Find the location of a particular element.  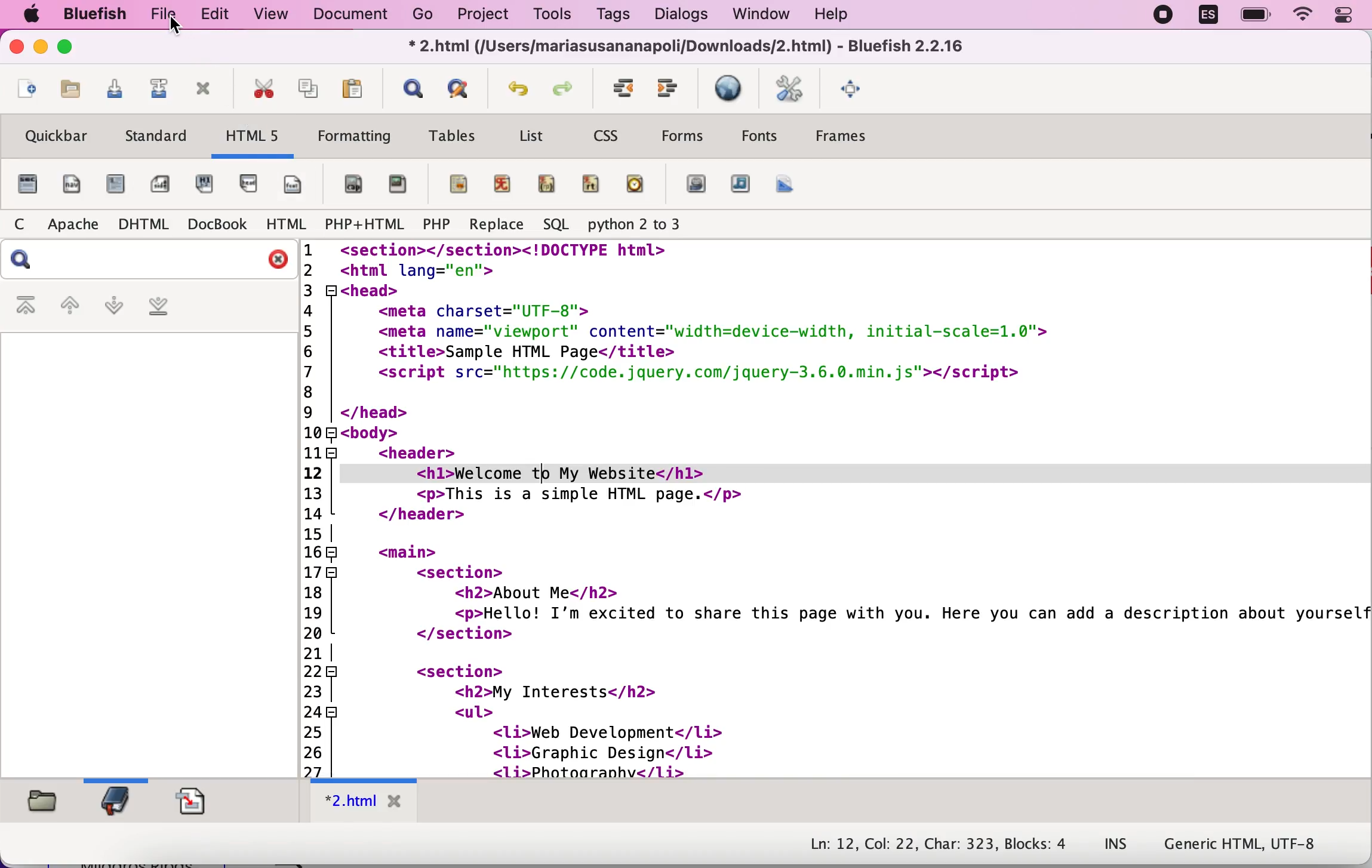

edit is located at coordinates (211, 16).